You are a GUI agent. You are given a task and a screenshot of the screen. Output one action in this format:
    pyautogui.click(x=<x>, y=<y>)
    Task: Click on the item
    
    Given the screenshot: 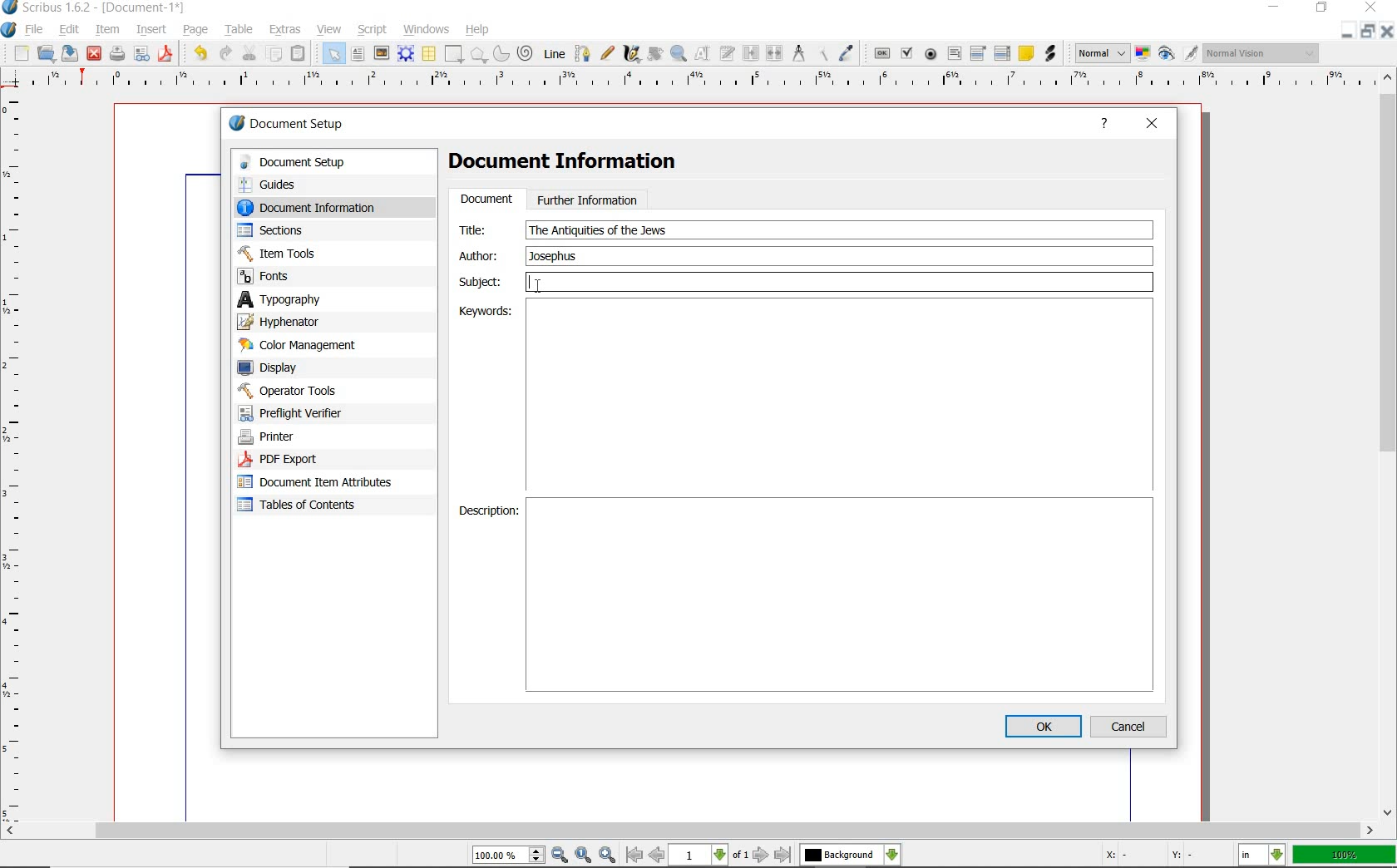 What is the action you would take?
    pyautogui.click(x=108, y=31)
    